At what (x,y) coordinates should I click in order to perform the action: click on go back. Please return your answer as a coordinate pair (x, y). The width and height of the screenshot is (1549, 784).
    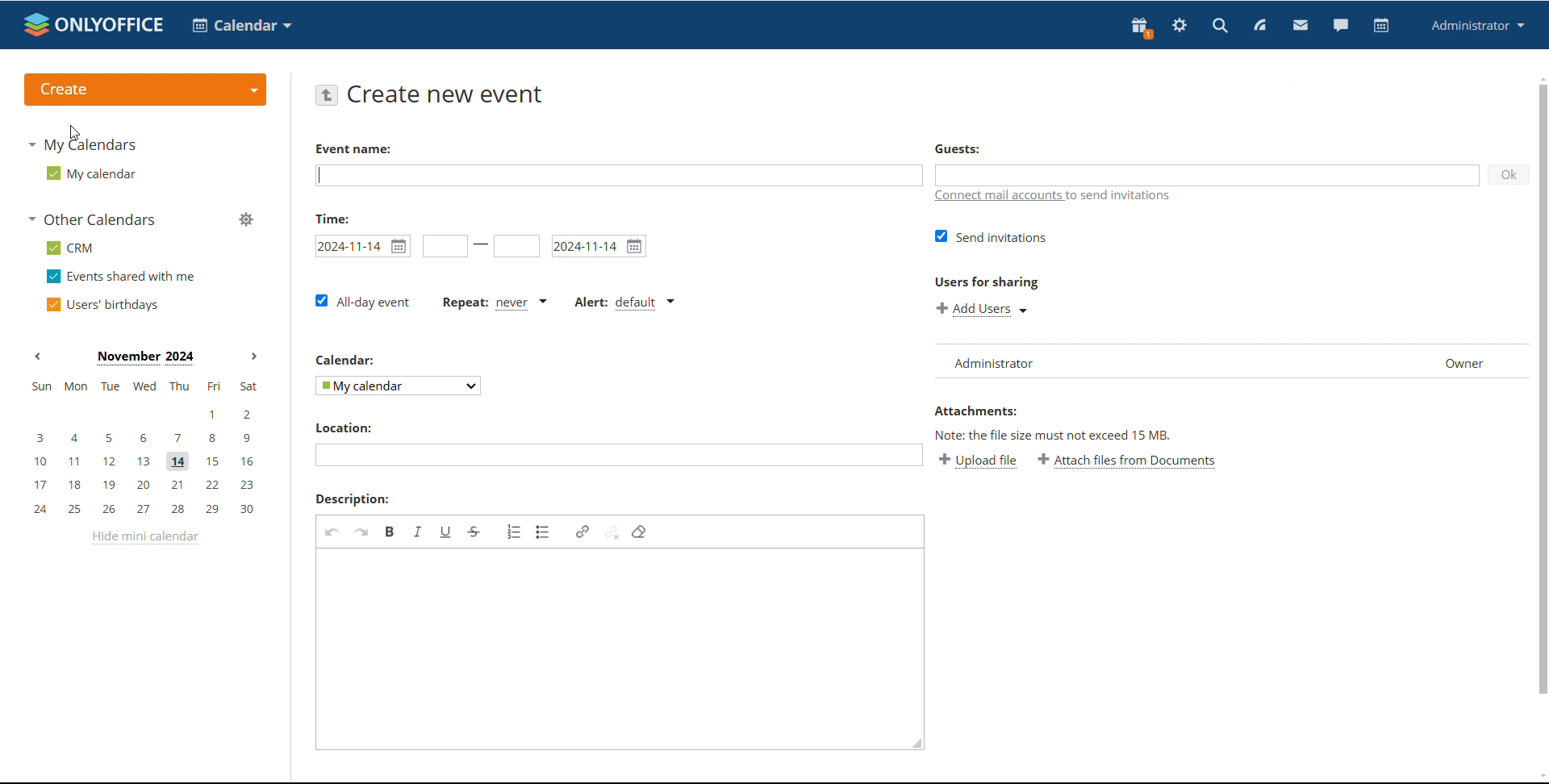
    Looking at the image, I should click on (326, 94).